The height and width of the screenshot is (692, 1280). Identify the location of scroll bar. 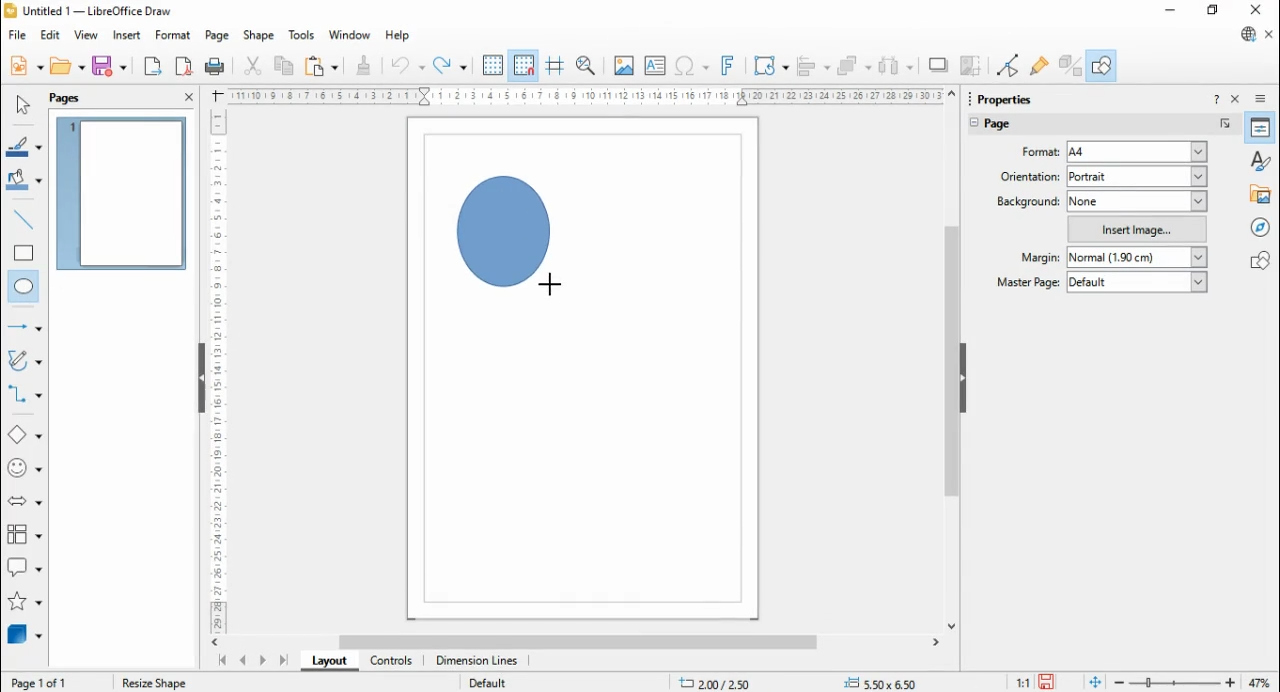
(582, 642).